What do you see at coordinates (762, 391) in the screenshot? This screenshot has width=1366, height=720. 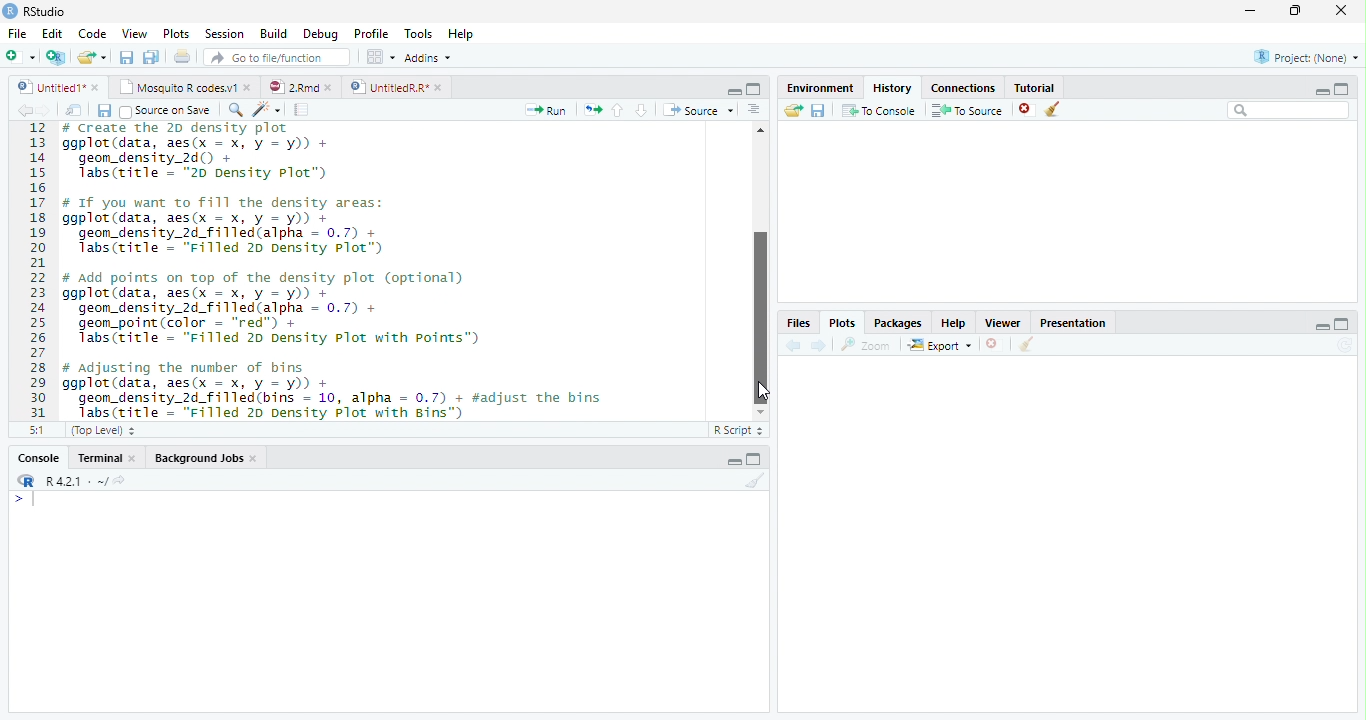 I see `cursor` at bounding box center [762, 391].